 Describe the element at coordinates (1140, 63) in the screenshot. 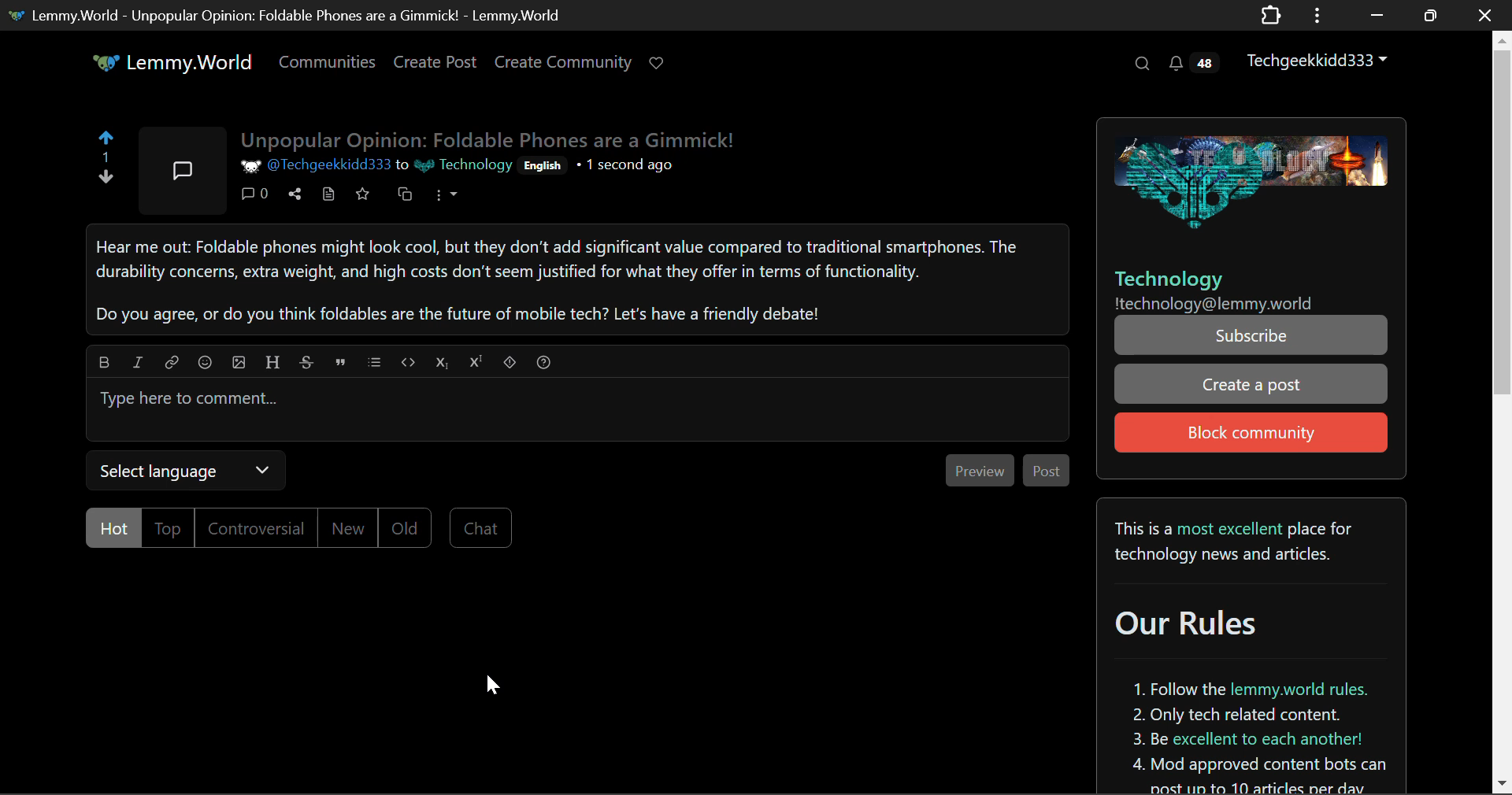

I see `Search ` at that location.